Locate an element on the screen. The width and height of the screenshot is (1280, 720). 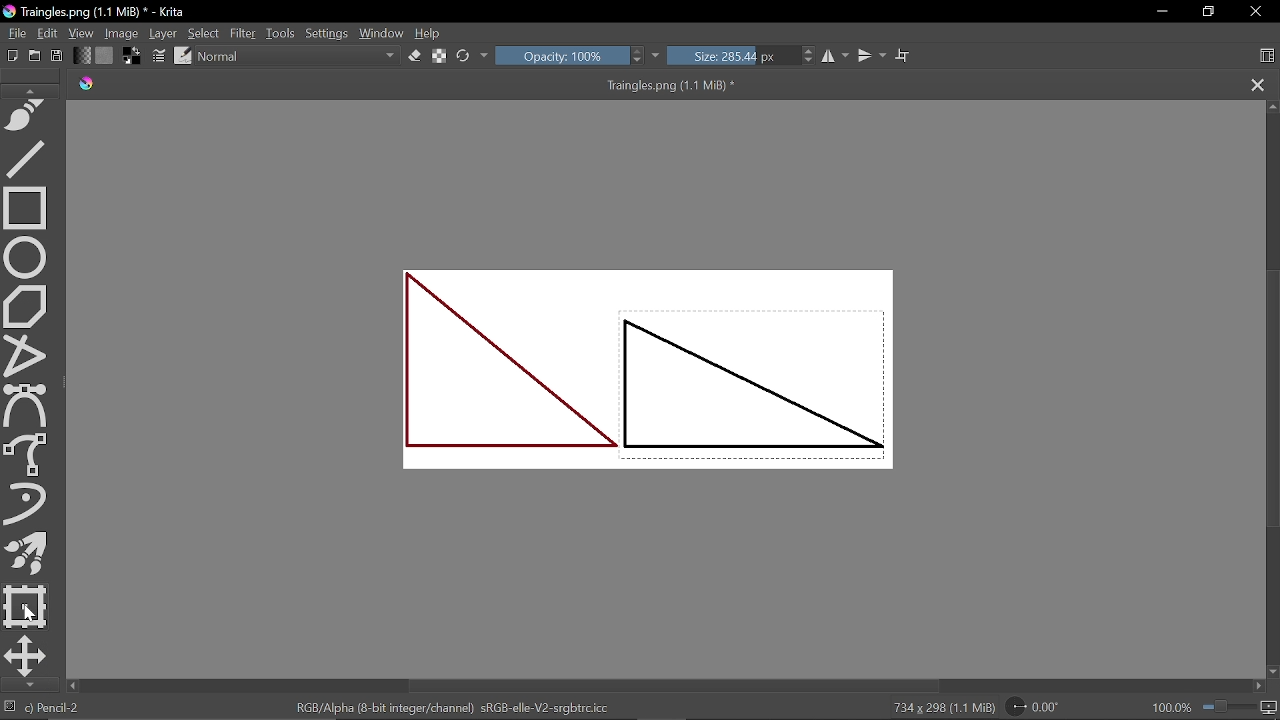
Tools is located at coordinates (282, 33).